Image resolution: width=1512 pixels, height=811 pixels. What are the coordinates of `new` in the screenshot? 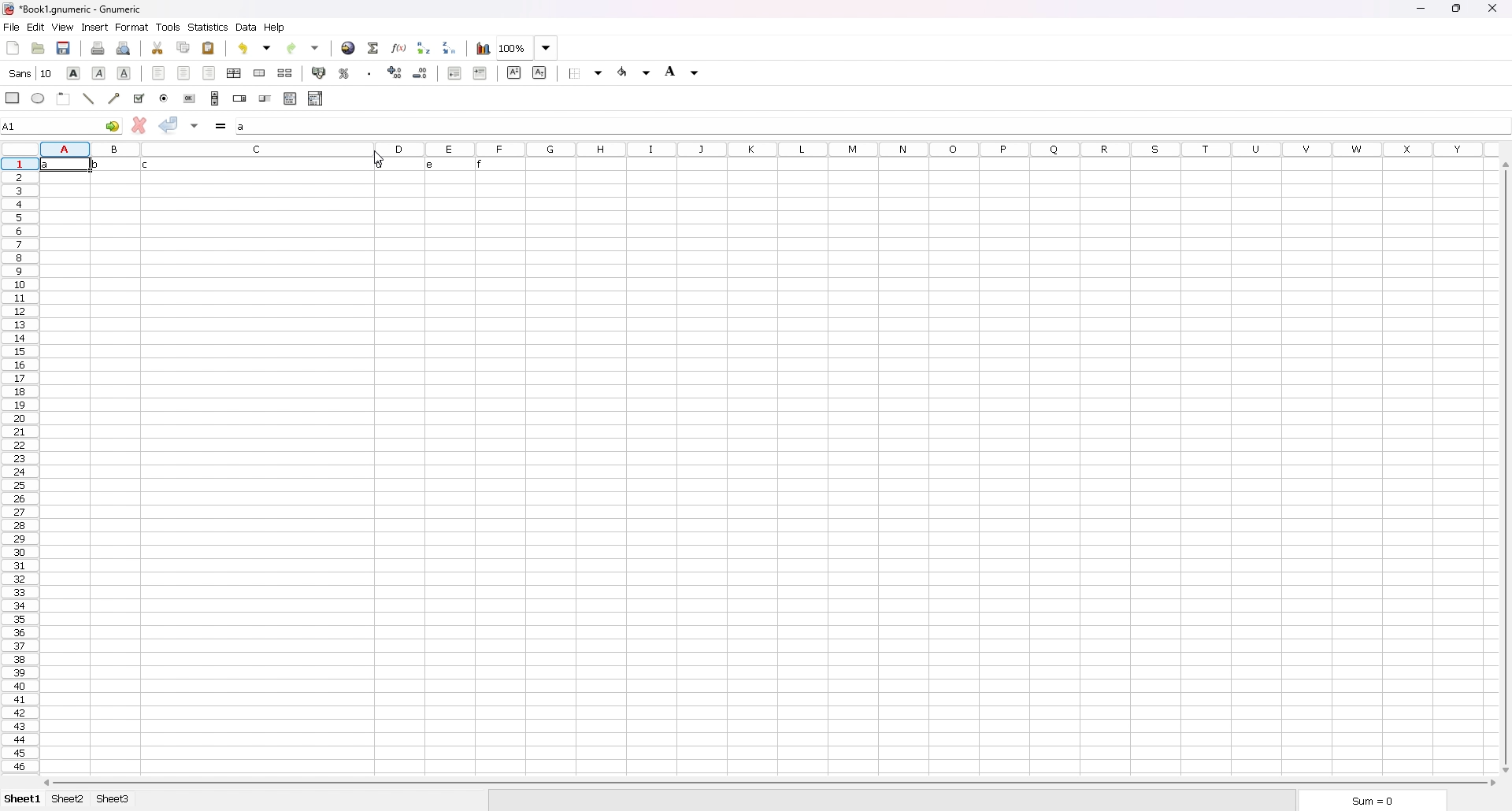 It's located at (13, 47).